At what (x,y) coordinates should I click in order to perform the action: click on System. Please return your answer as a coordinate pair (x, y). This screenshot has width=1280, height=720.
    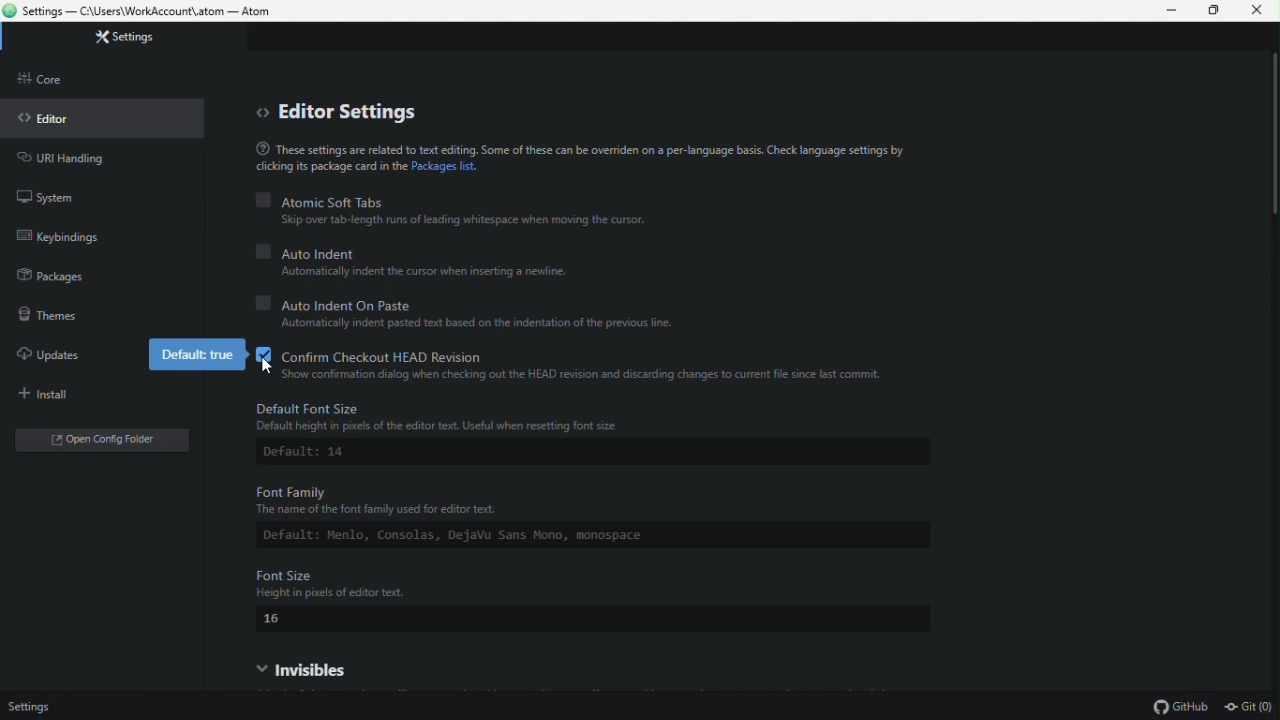
    Looking at the image, I should click on (59, 199).